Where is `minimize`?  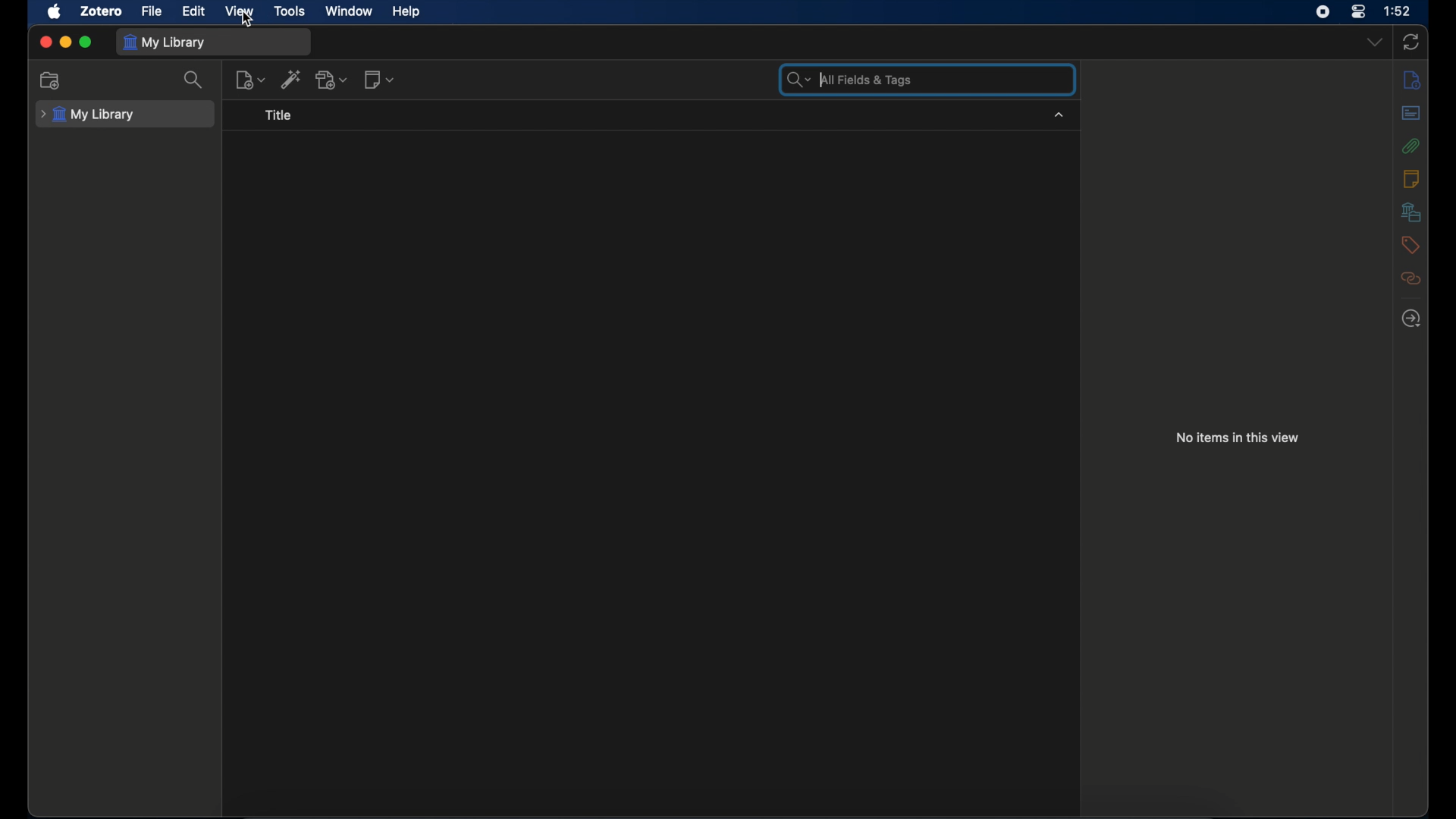 minimize is located at coordinates (65, 41).